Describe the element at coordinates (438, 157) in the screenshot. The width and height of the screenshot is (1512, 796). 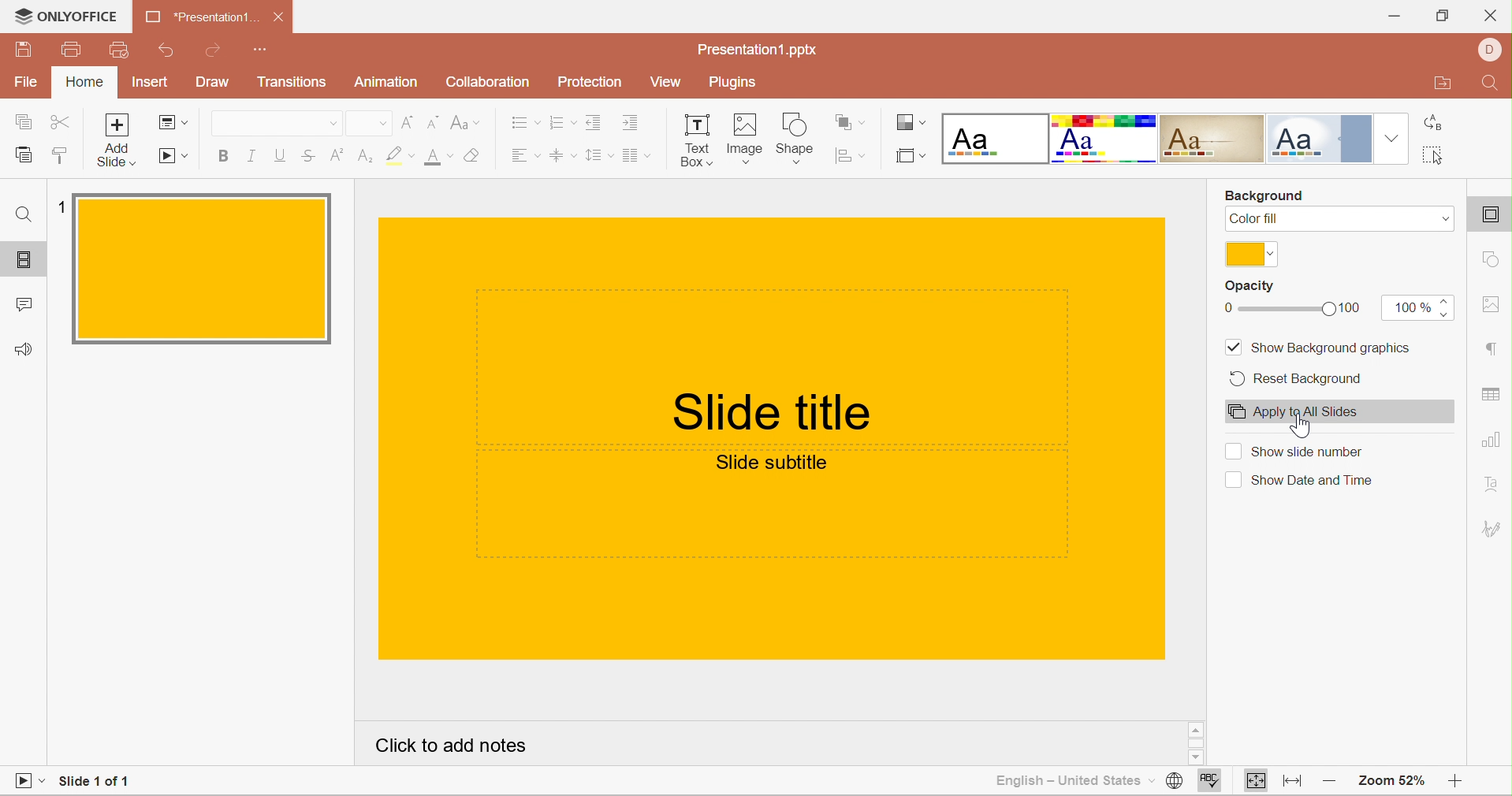
I see `Font size` at that location.